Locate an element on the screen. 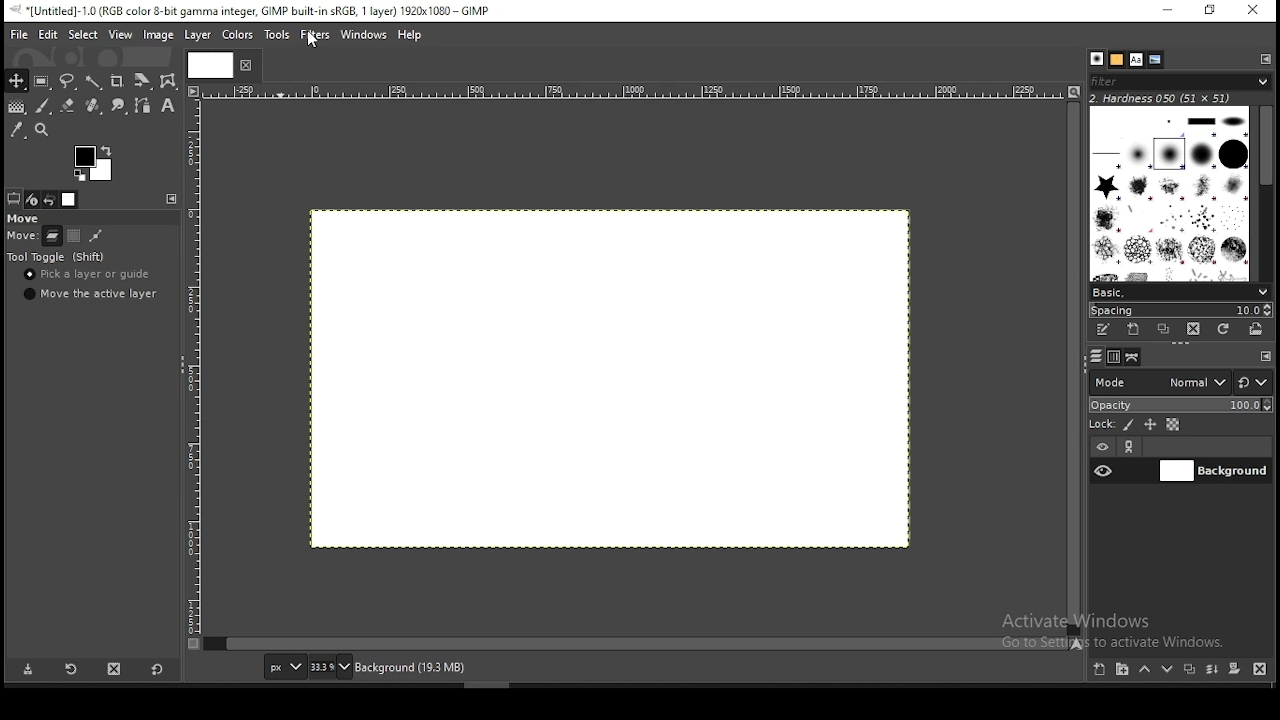 The image size is (1280, 720). verticalscroll bar is located at coordinates (641, 643).